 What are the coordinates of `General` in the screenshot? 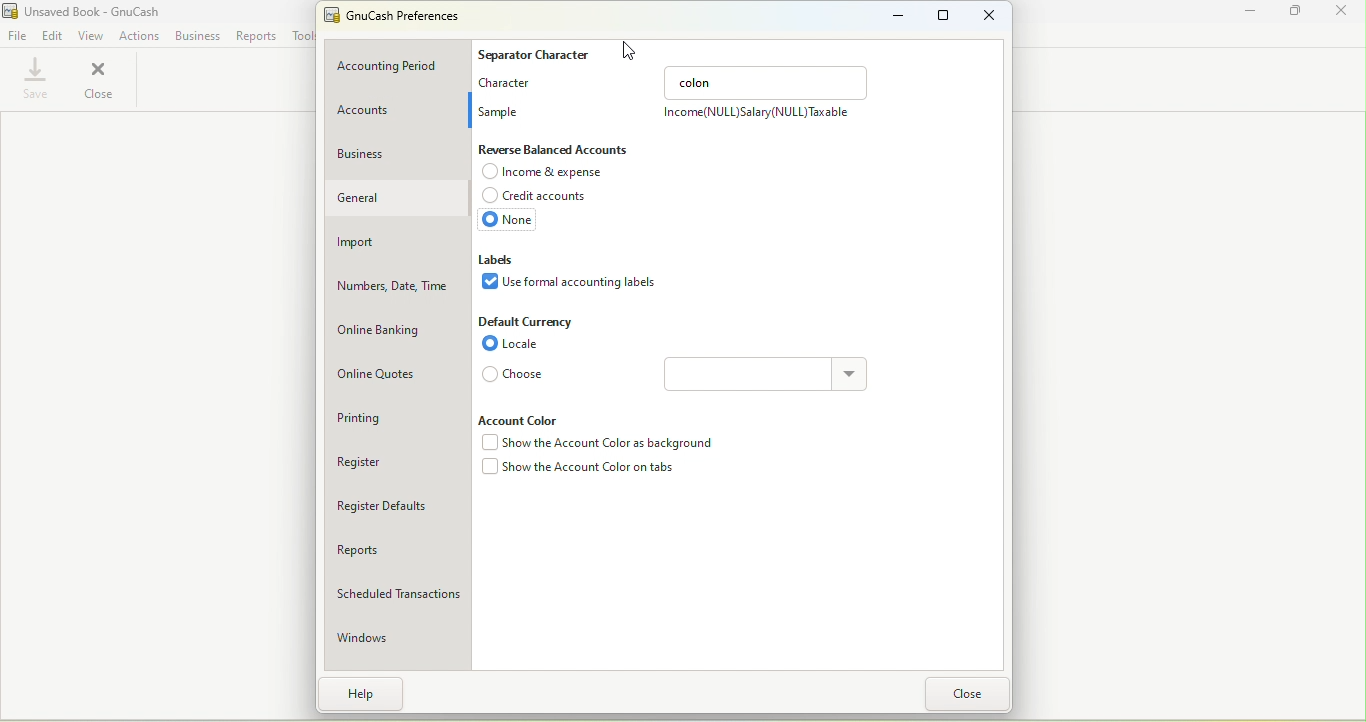 It's located at (397, 199).